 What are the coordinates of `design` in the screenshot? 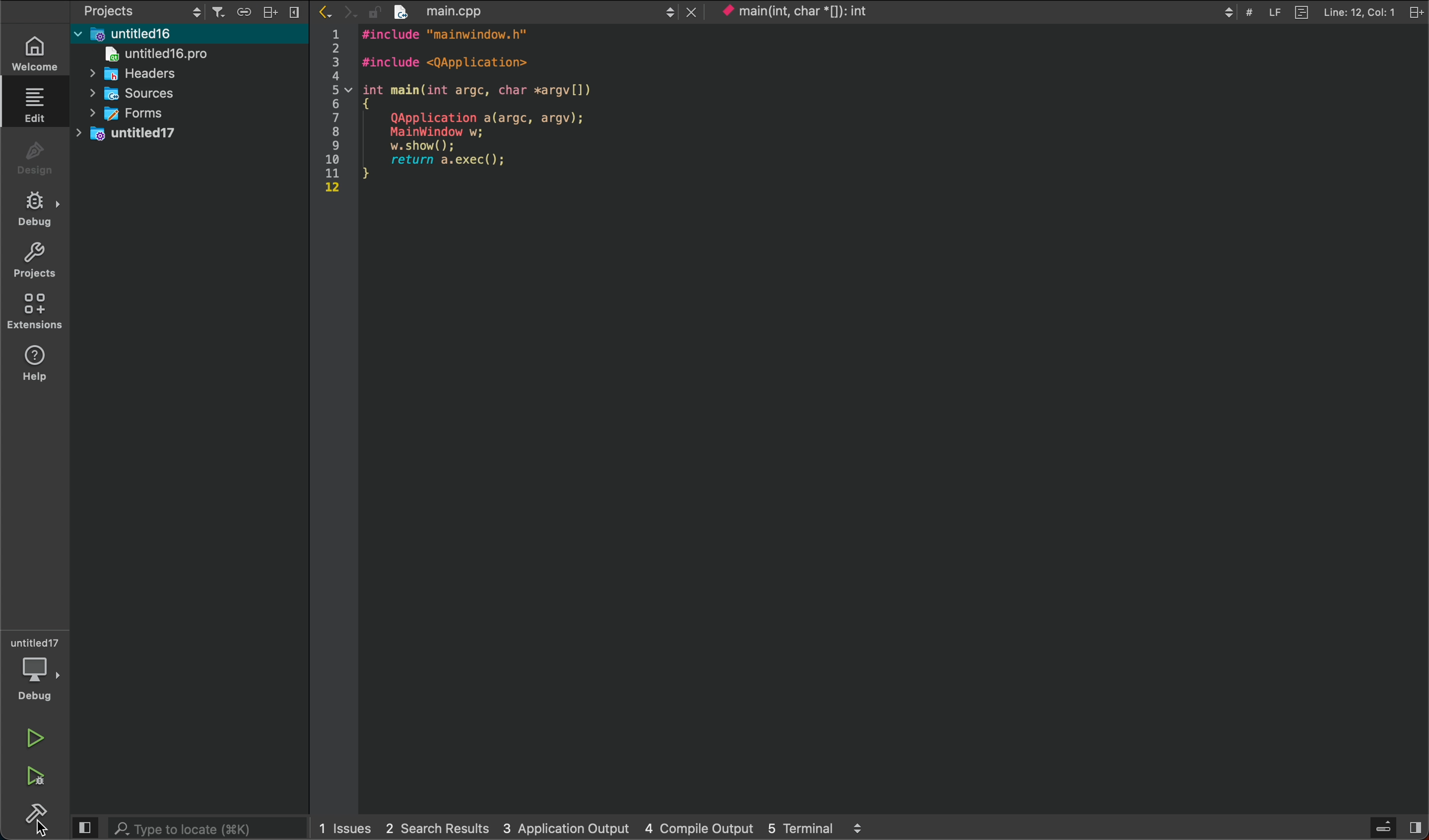 It's located at (32, 158).